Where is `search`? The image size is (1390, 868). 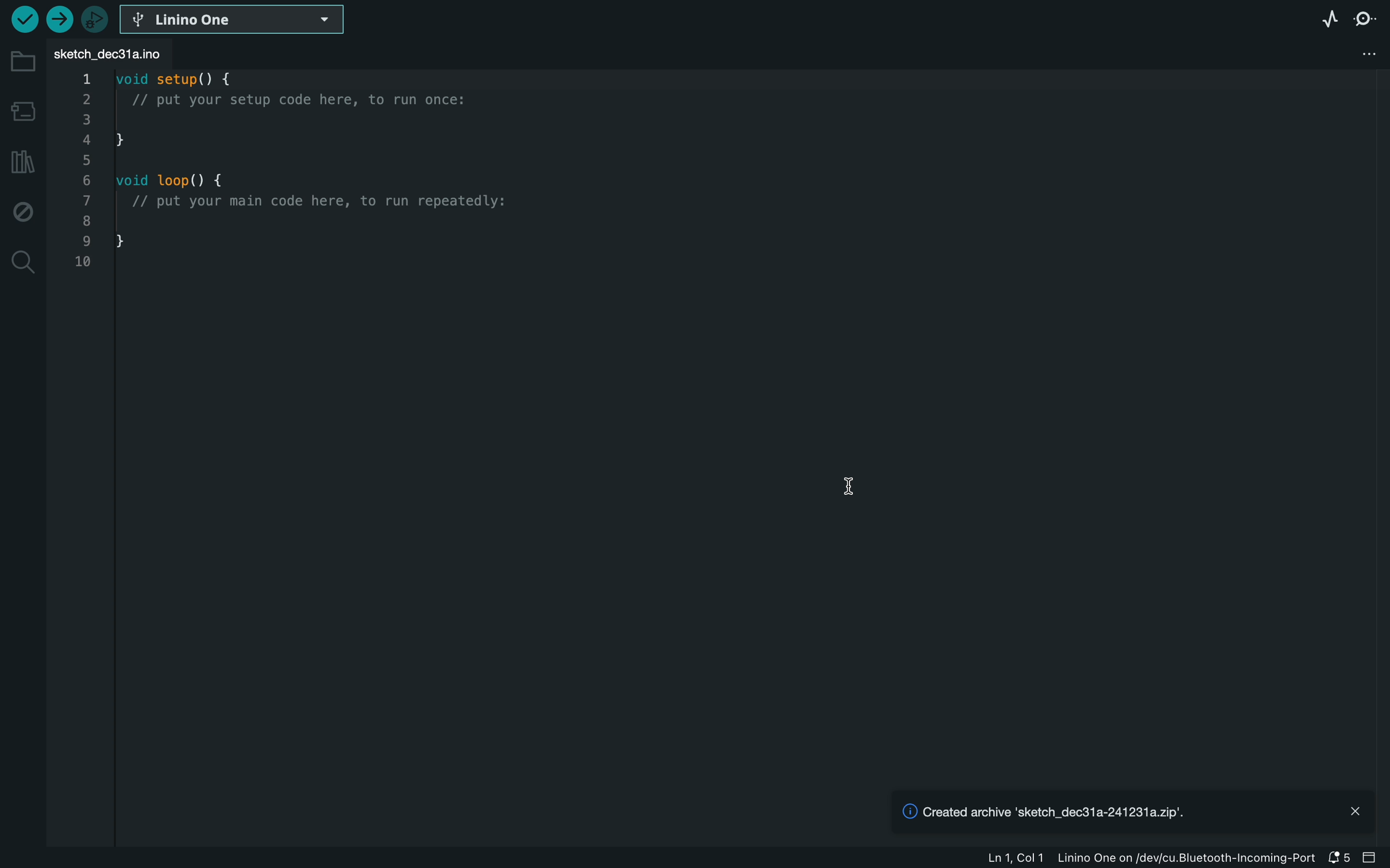
search is located at coordinates (24, 262).